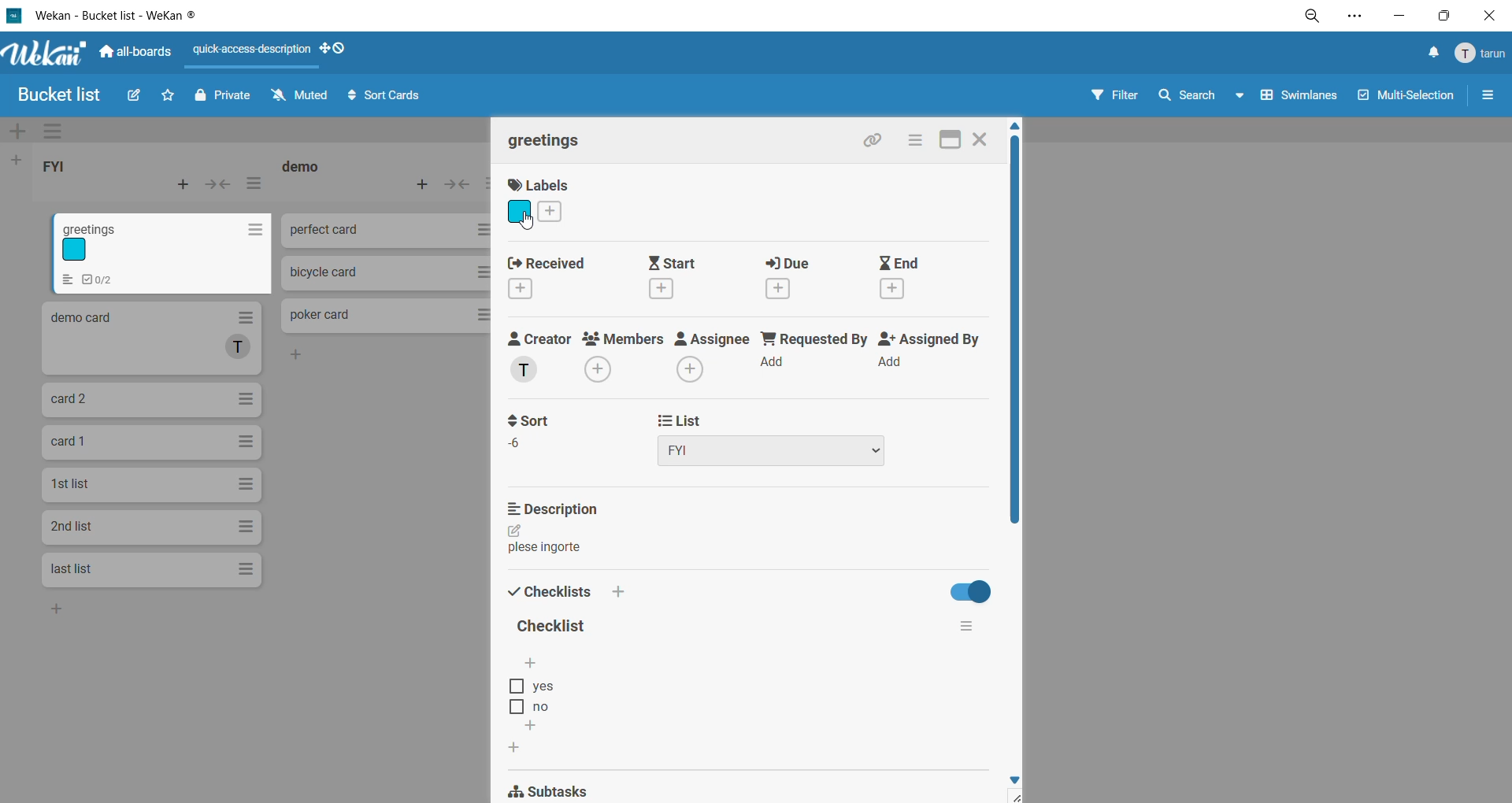 This screenshot has width=1512, height=803. What do you see at coordinates (254, 184) in the screenshot?
I see `list actions` at bounding box center [254, 184].